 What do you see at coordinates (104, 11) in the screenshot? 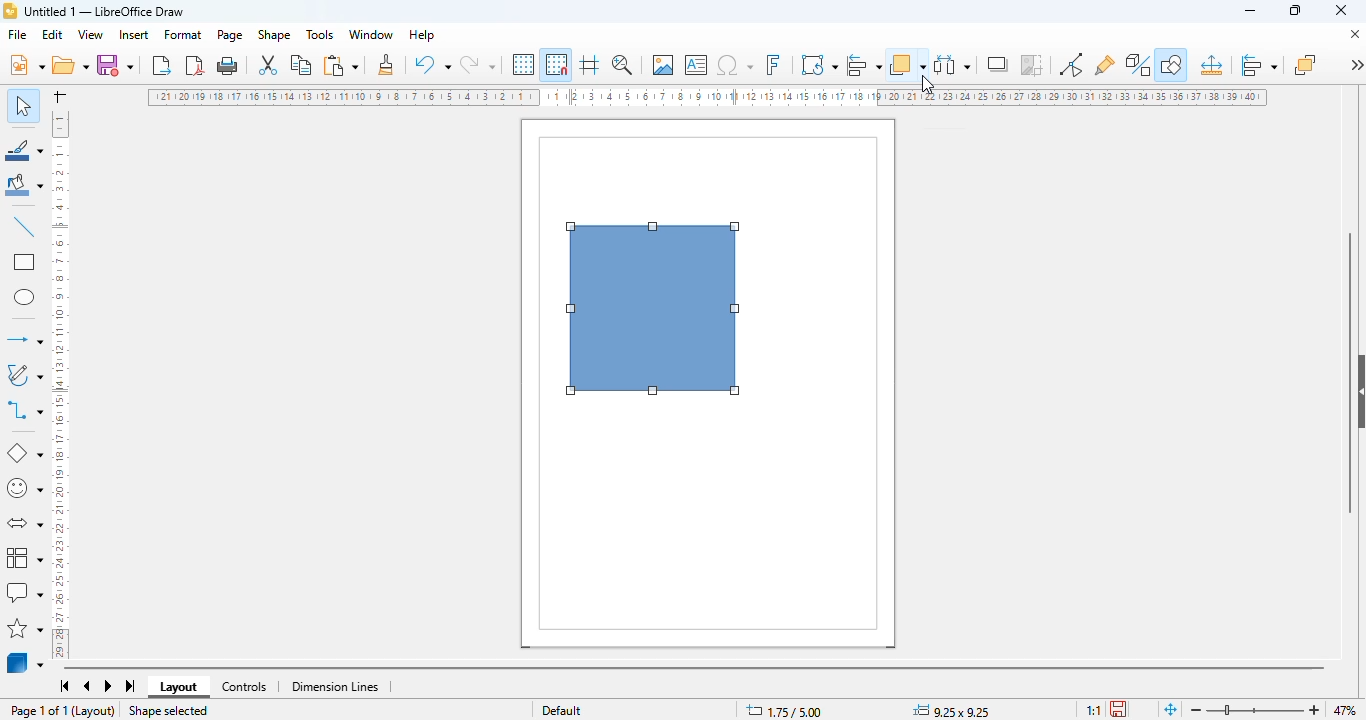
I see `title` at bounding box center [104, 11].